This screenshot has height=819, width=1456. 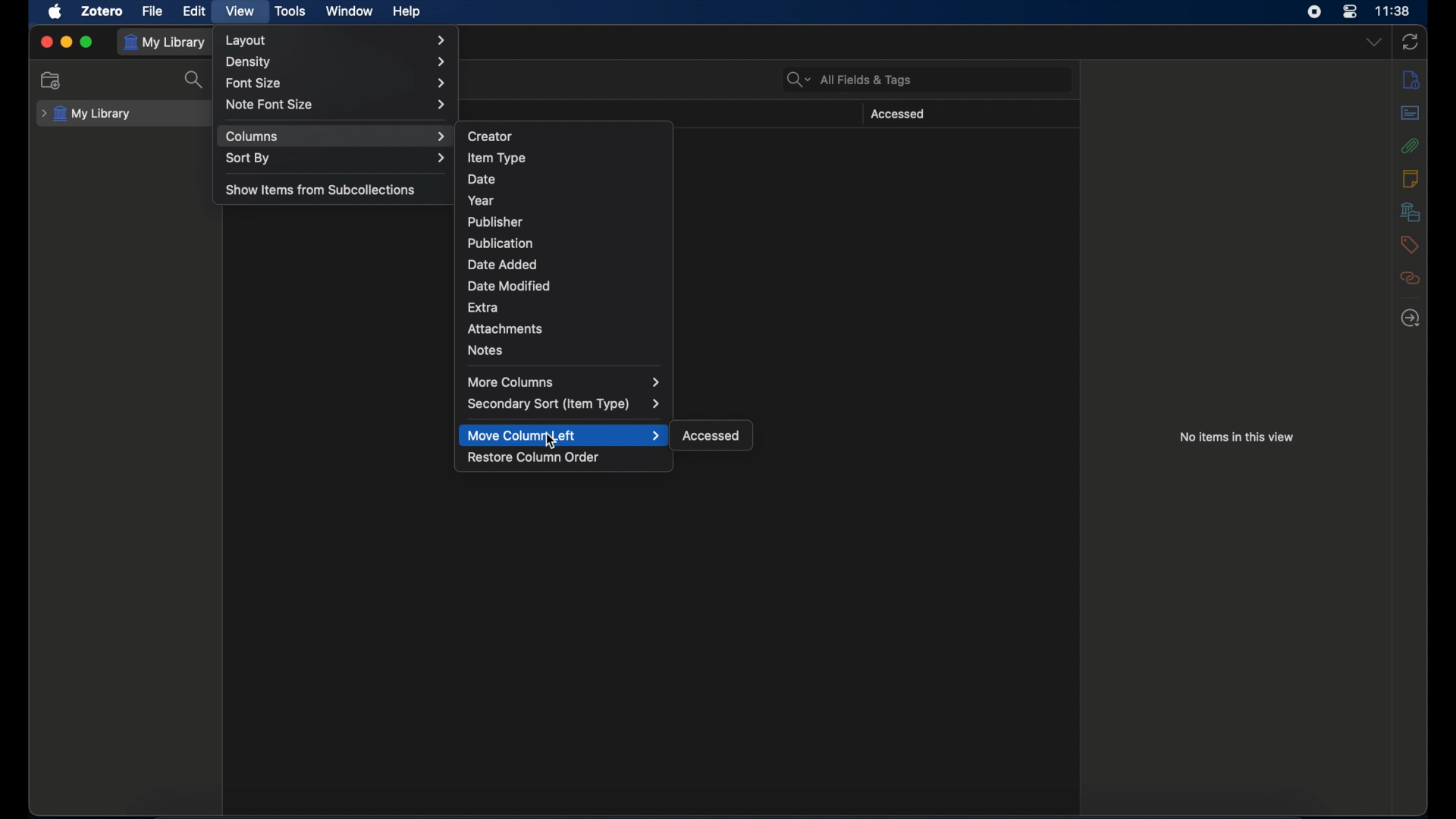 I want to click on apple, so click(x=55, y=12).